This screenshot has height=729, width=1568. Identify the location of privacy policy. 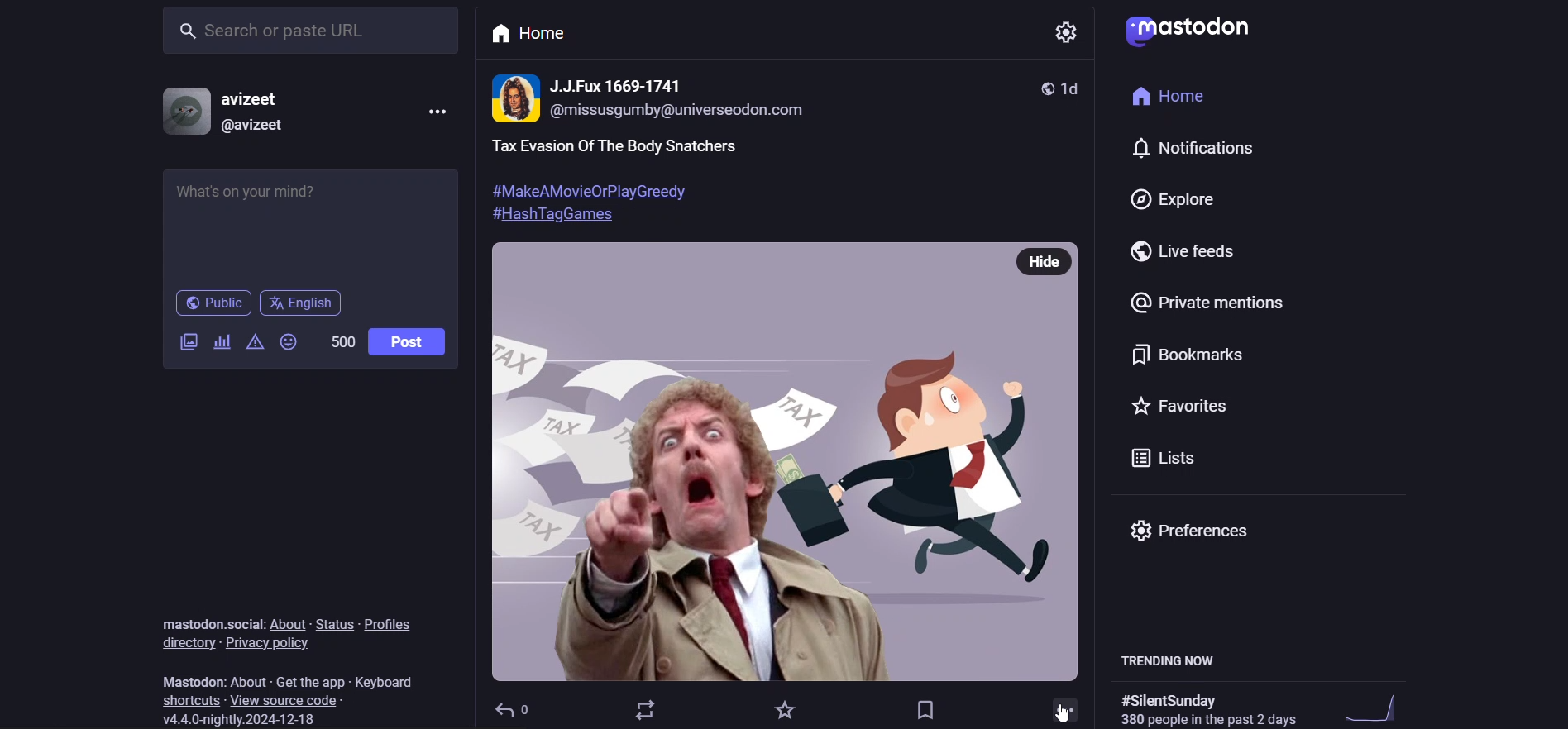
(265, 642).